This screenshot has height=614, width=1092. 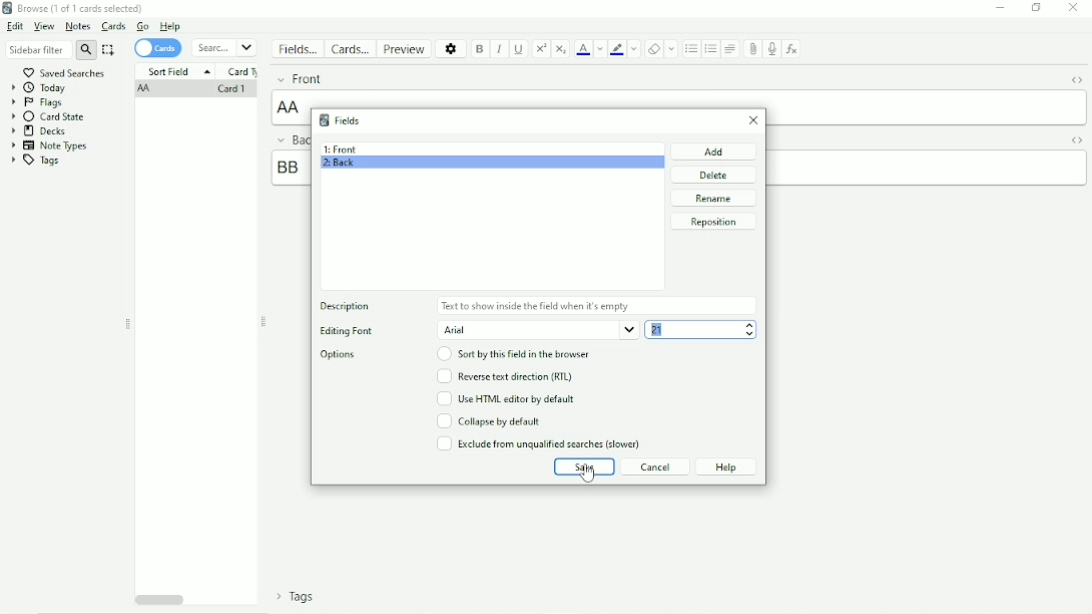 What do you see at coordinates (489, 421) in the screenshot?
I see `Collapse by default` at bounding box center [489, 421].